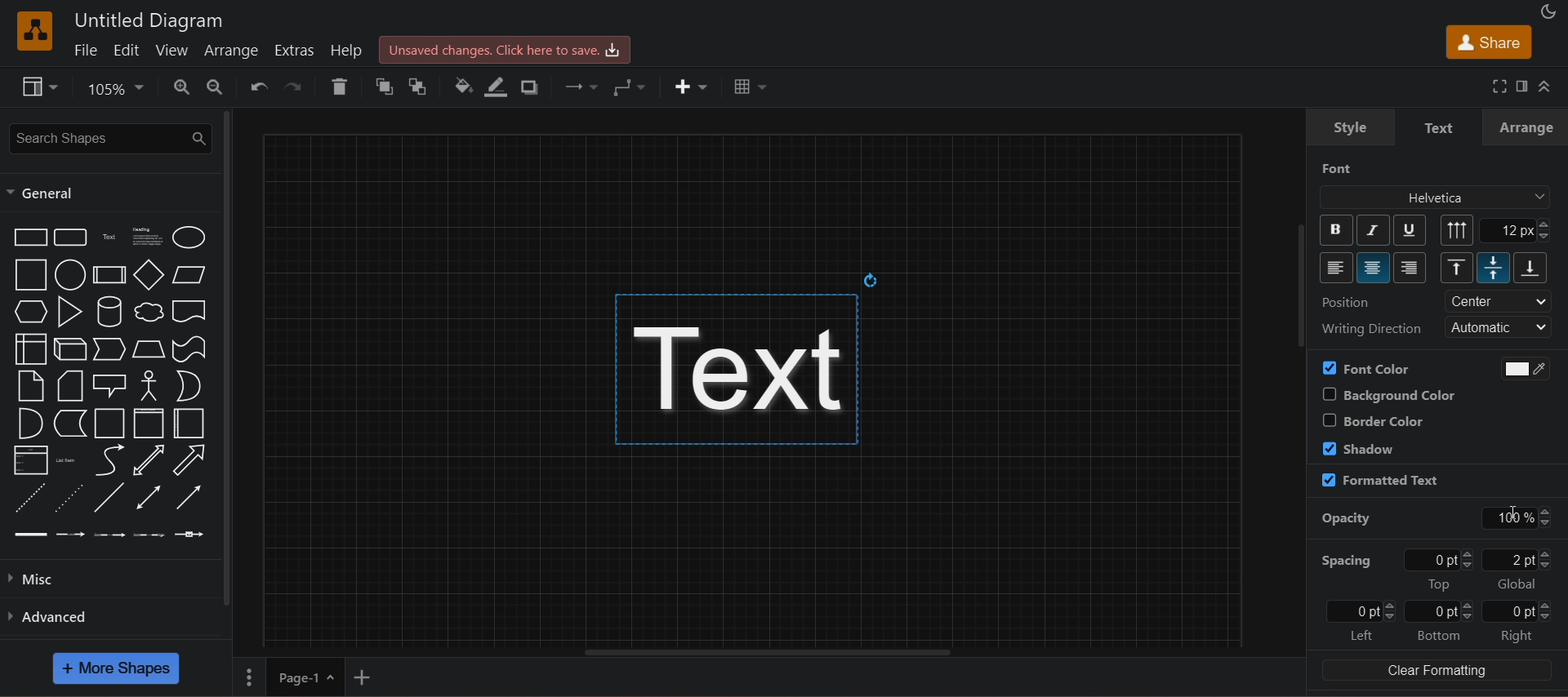  What do you see at coordinates (229, 51) in the screenshot?
I see `arrange` at bounding box center [229, 51].